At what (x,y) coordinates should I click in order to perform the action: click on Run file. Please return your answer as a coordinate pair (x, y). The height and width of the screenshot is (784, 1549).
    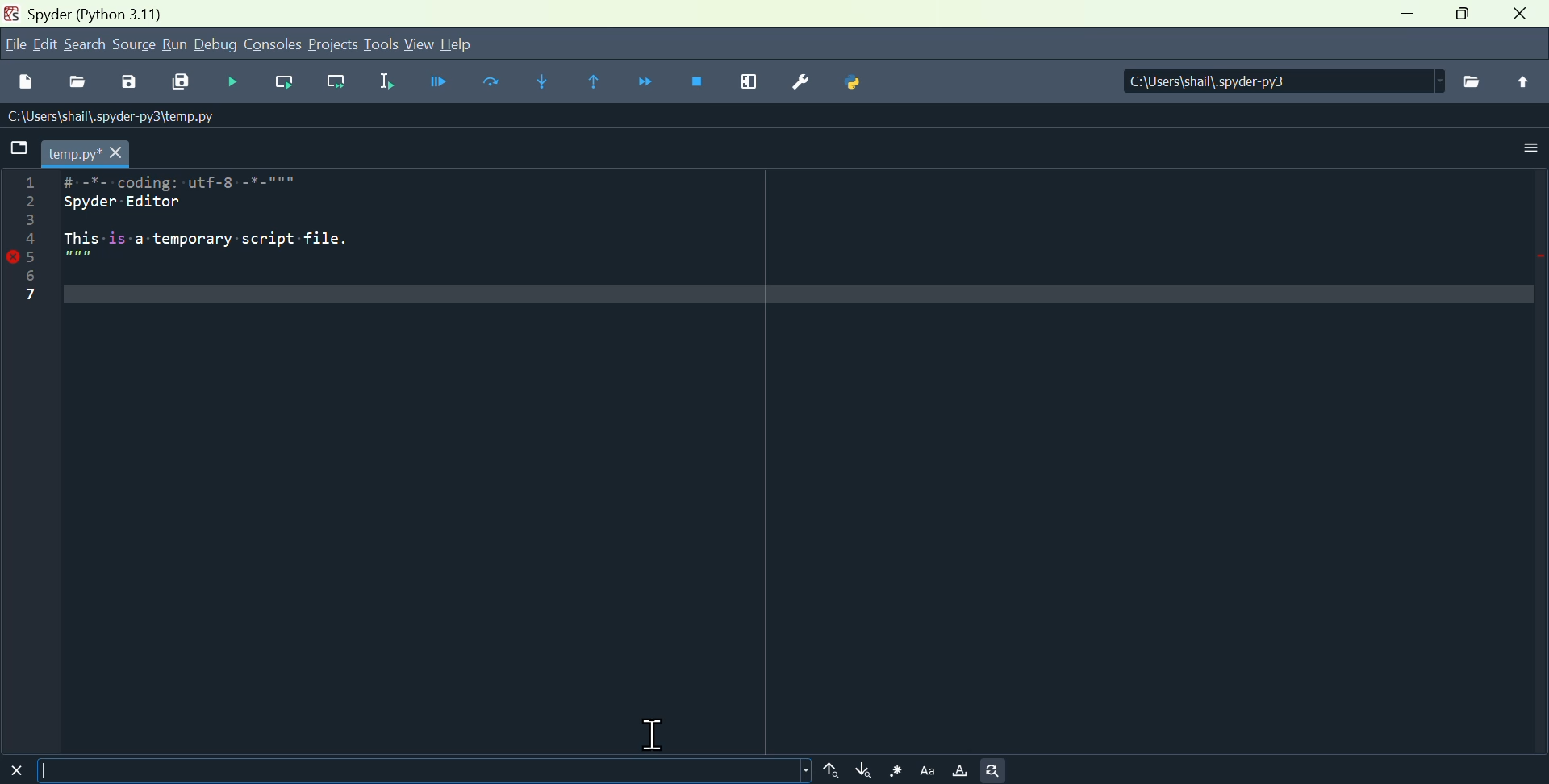
    Looking at the image, I should click on (436, 85).